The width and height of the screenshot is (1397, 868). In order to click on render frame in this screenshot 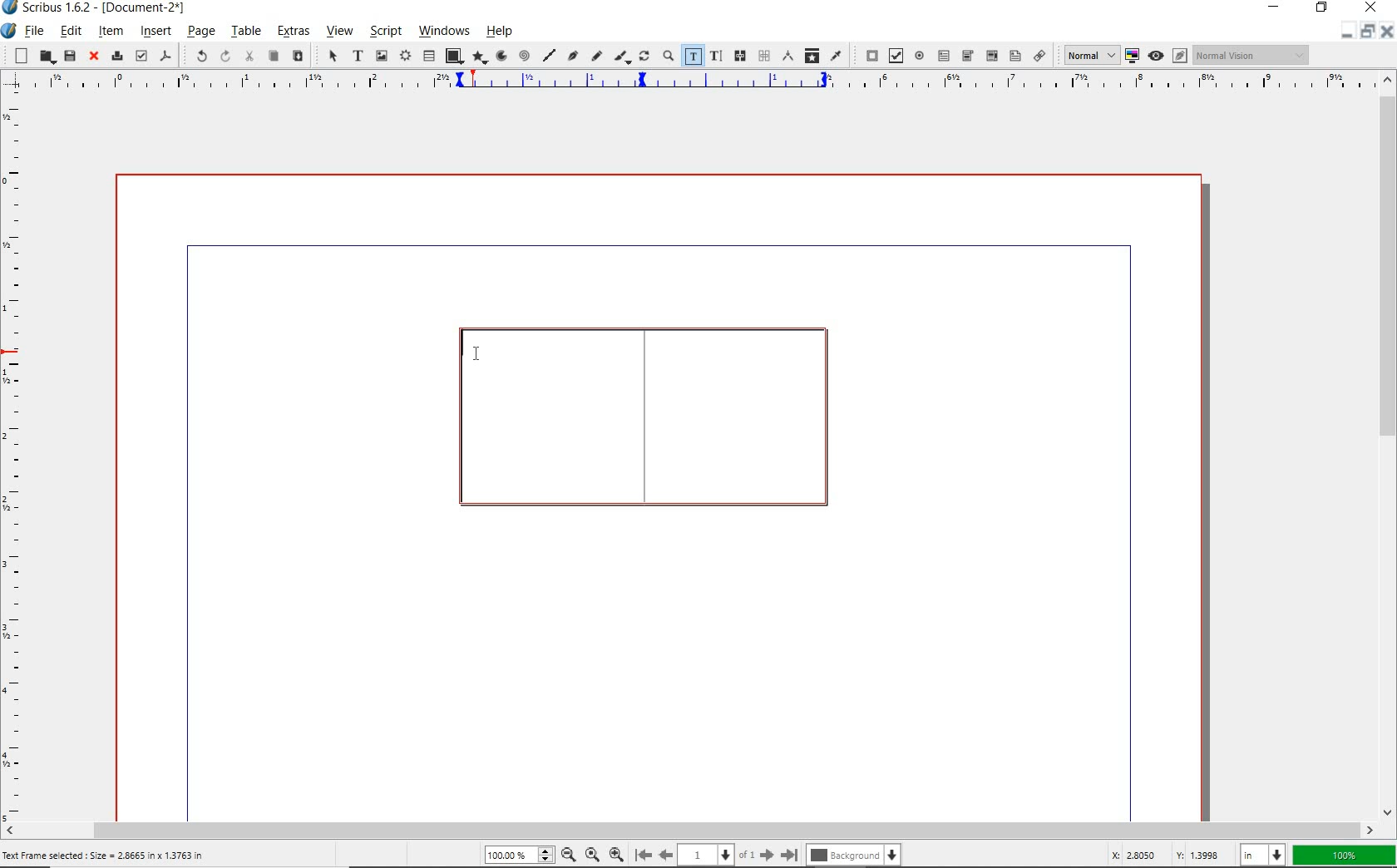, I will do `click(404, 55)`.